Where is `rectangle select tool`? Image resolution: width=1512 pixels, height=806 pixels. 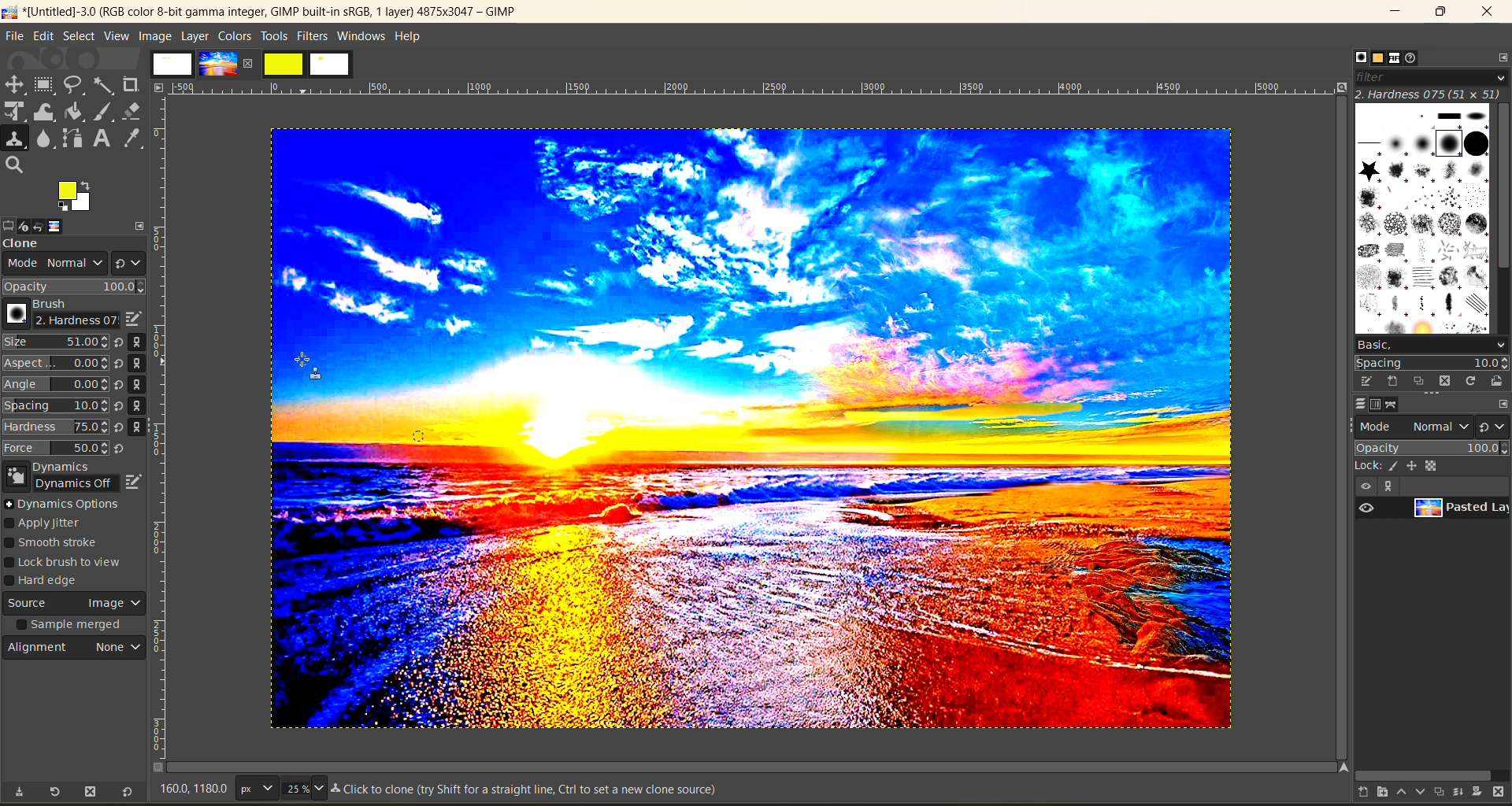 rectangle select tool is located at coordinates (46, 85).